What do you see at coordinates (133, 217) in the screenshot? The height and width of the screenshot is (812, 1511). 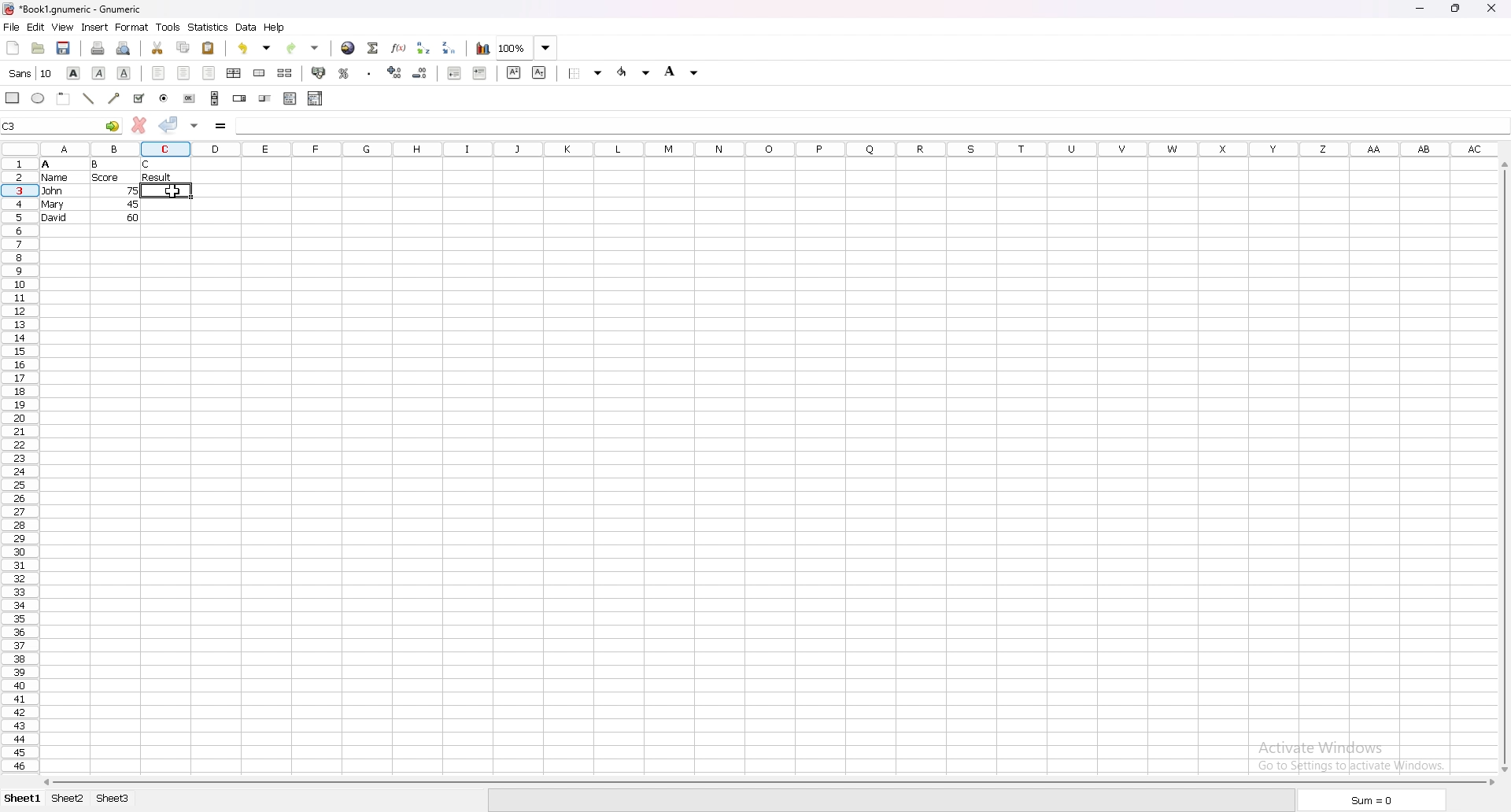 I see `60` at bounding box center [133, 217].